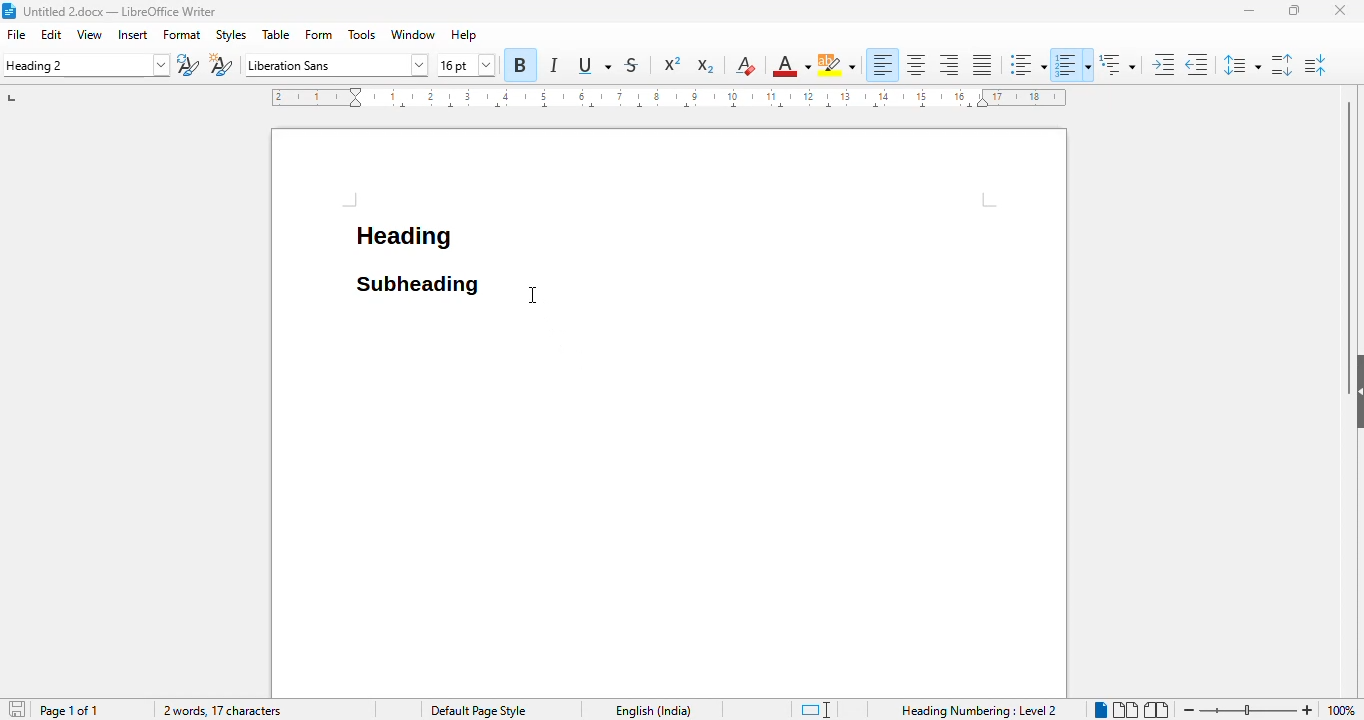  I want to click on toggle ordered list, so click(1072, 65).